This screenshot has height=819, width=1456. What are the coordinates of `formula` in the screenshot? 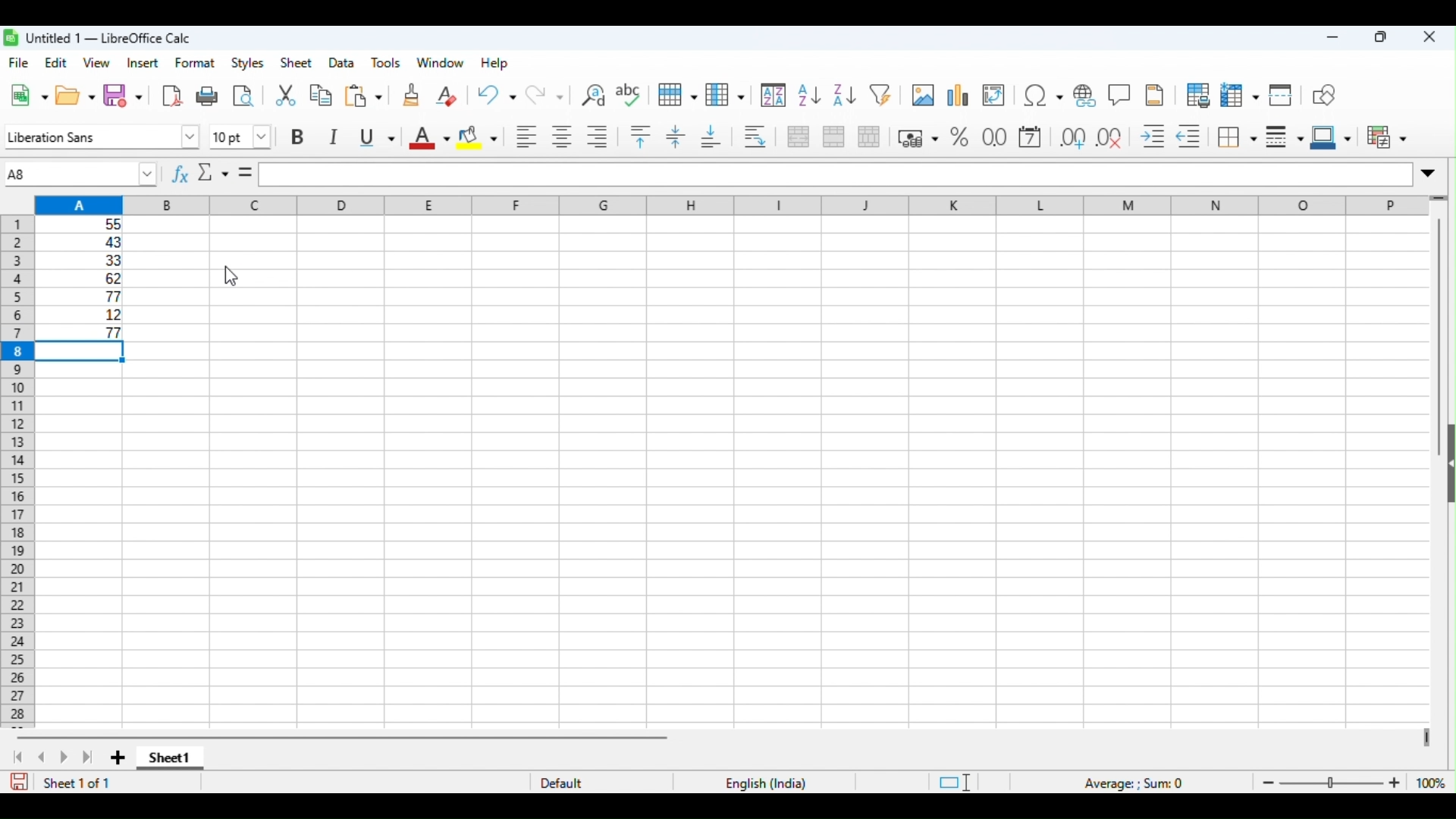 It's located at (833, 173).